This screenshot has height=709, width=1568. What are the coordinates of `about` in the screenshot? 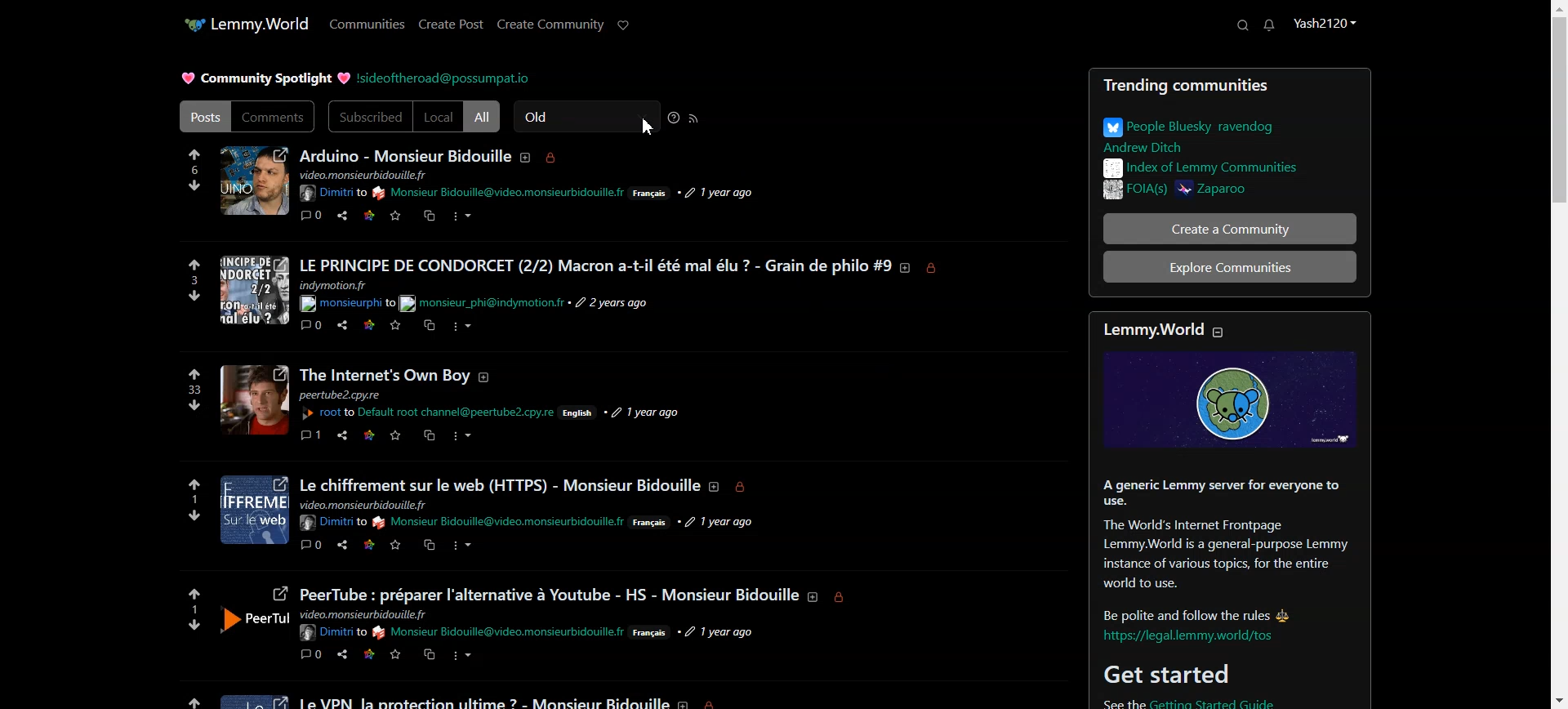 It's located at (713, 486).